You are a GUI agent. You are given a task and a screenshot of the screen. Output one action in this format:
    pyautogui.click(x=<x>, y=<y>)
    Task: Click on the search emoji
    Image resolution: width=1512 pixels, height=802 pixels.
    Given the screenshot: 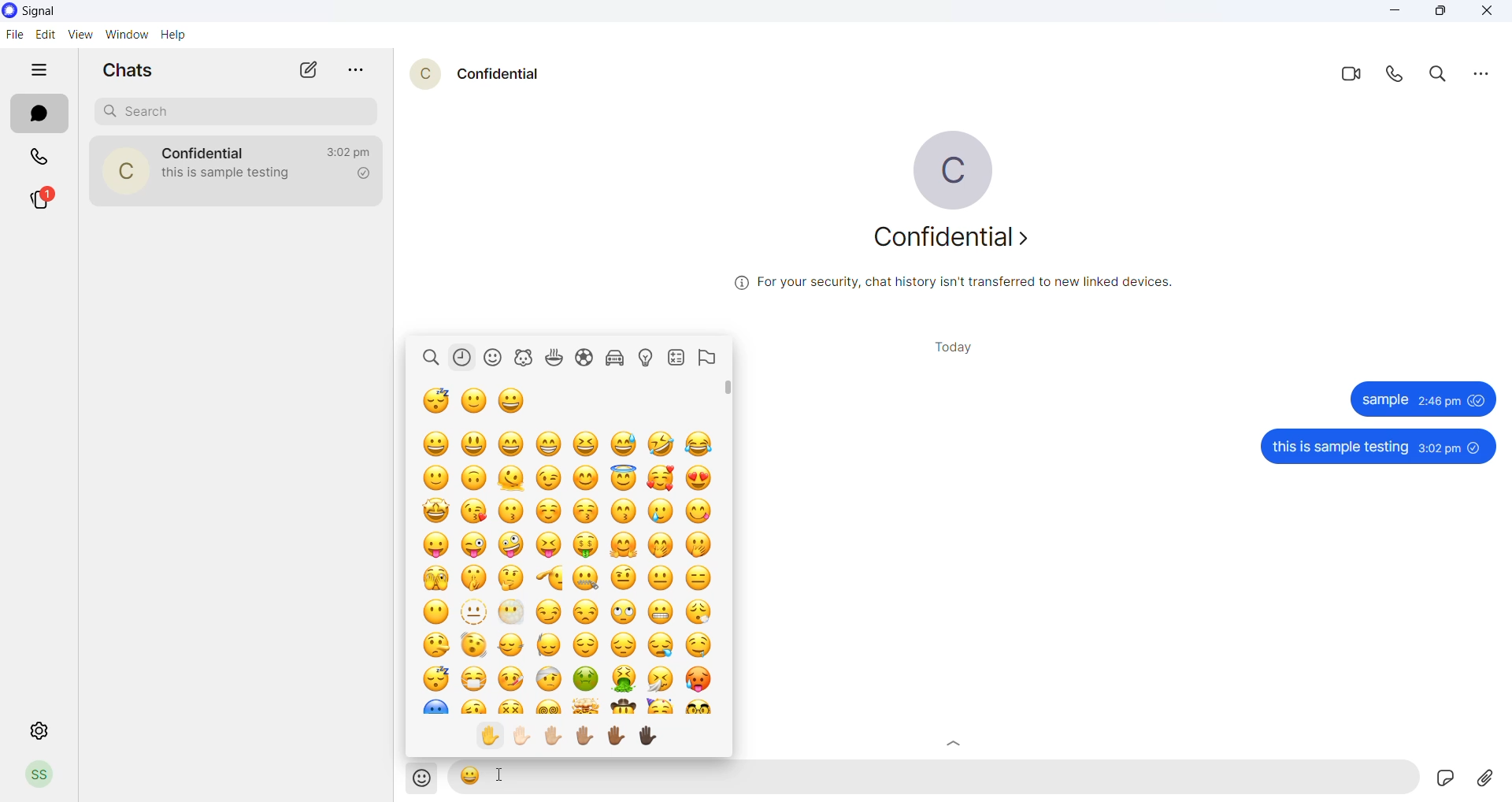 What is the action you would take?
    pyautogui.click(x=432, y=358)
    